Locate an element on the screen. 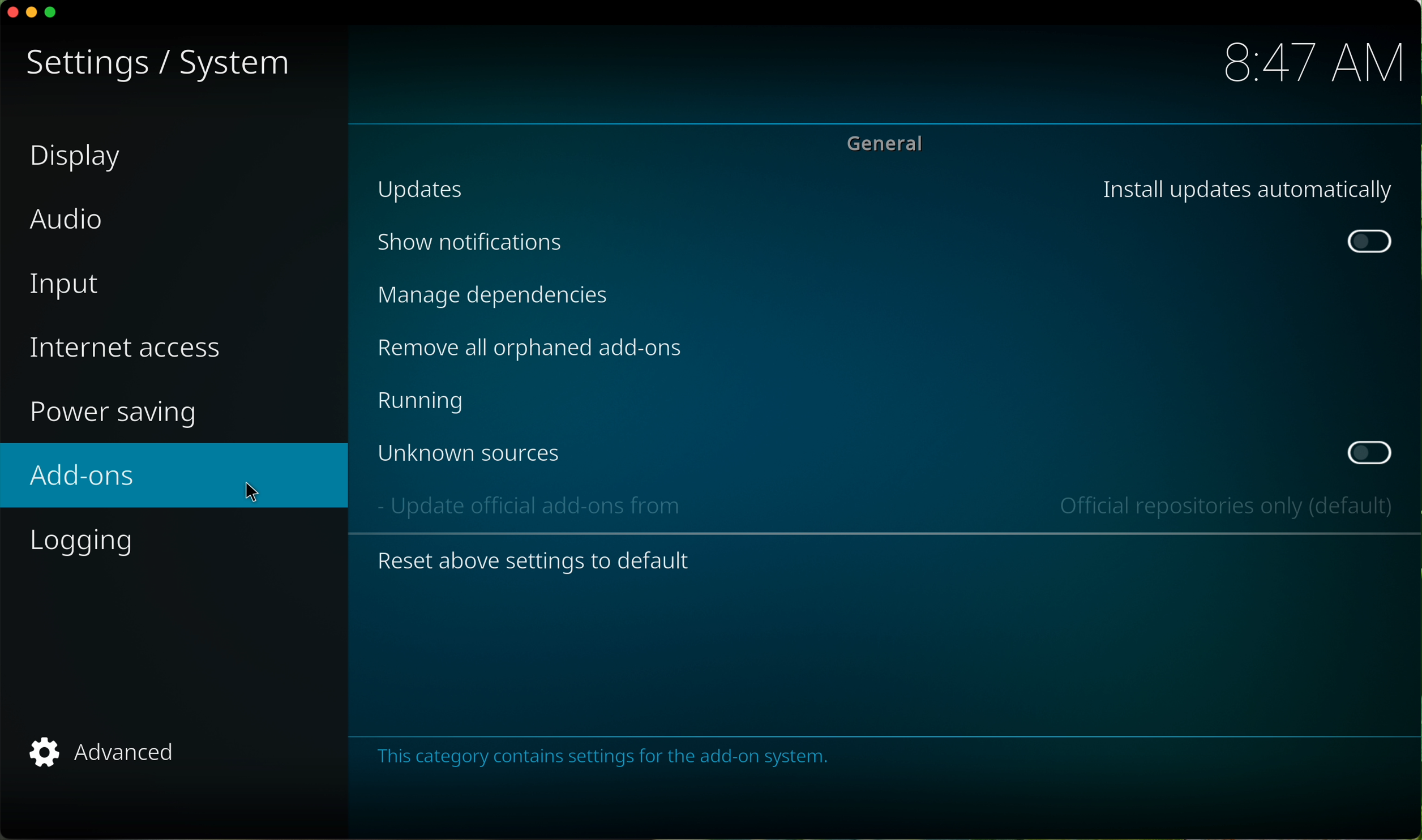  Remove all orphaned add-ons is located at coordinates (543, 350).